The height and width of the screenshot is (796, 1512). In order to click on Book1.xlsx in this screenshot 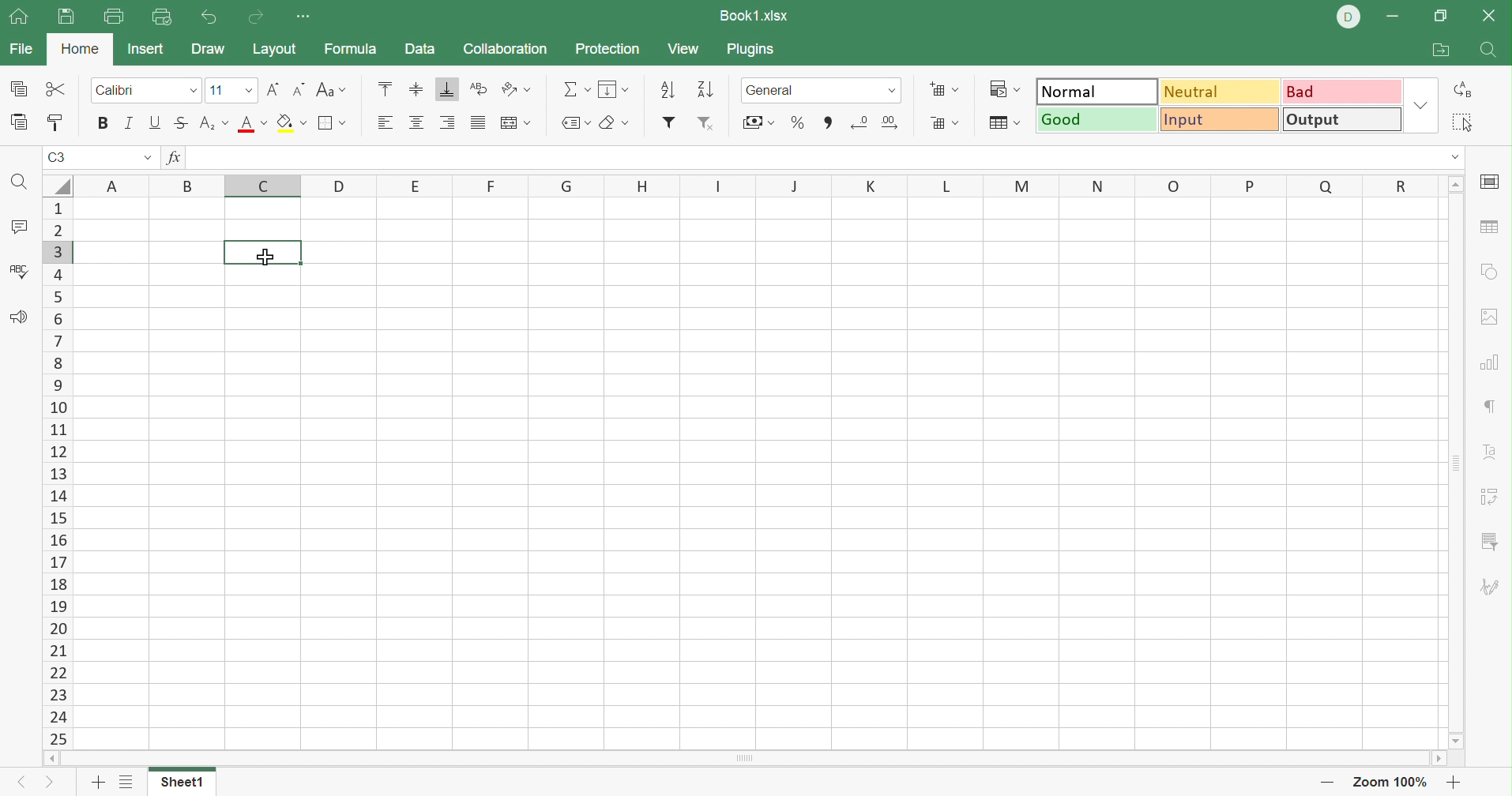, I will do `click(755, 16)`.